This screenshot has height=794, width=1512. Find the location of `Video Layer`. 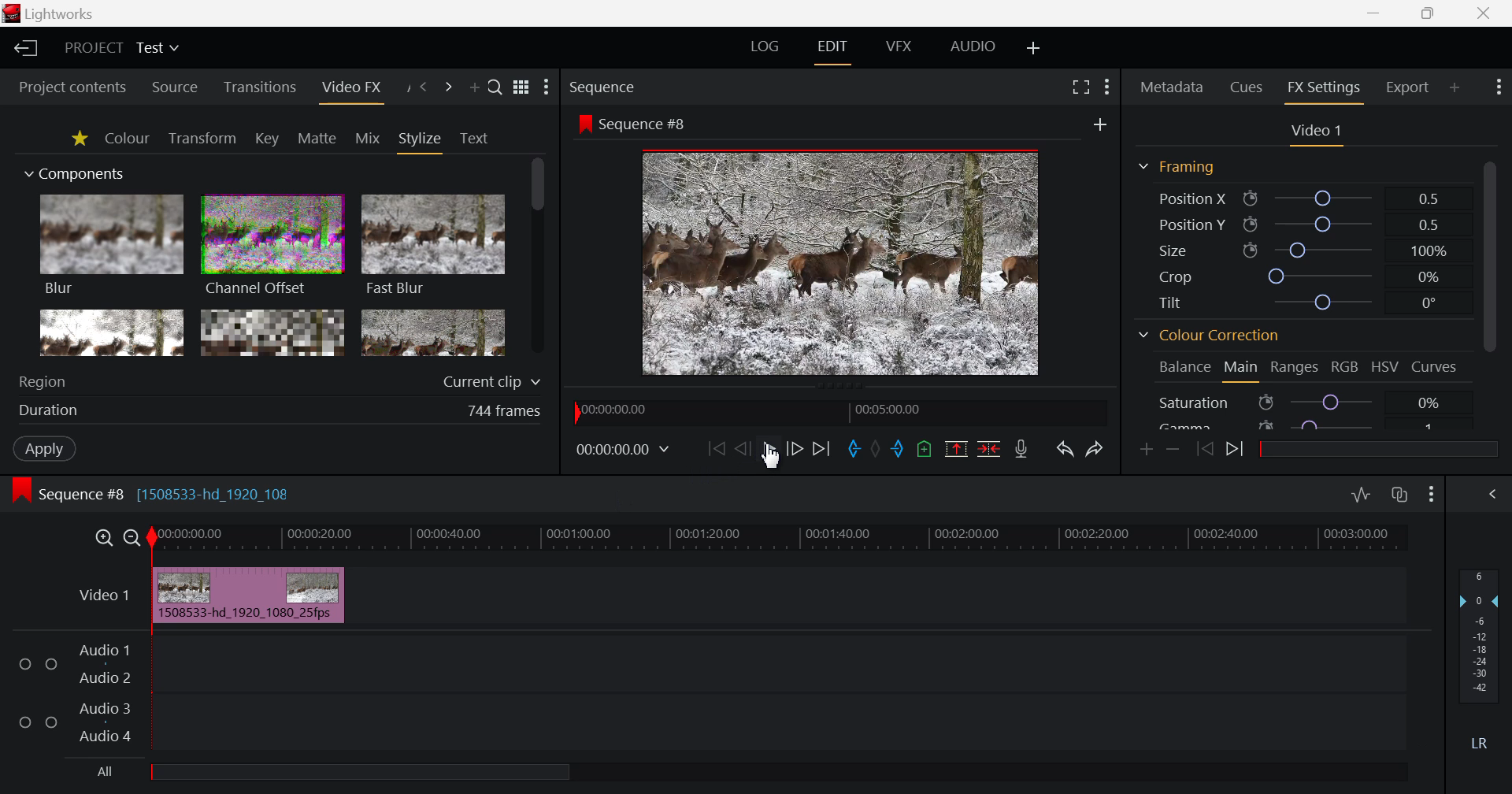

Video Layer is located at coordinates (103, 598).